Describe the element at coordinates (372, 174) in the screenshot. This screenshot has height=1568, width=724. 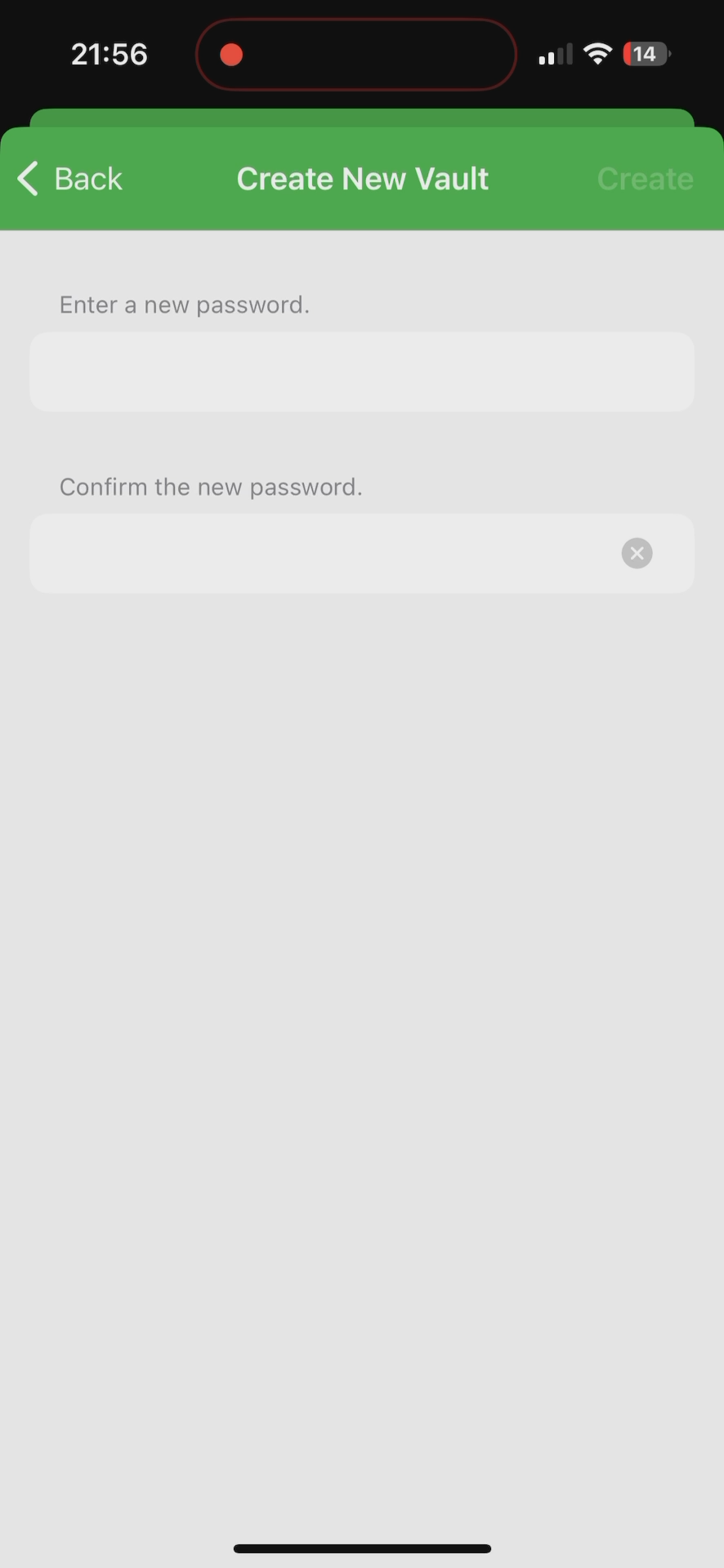
I see `` at that location.